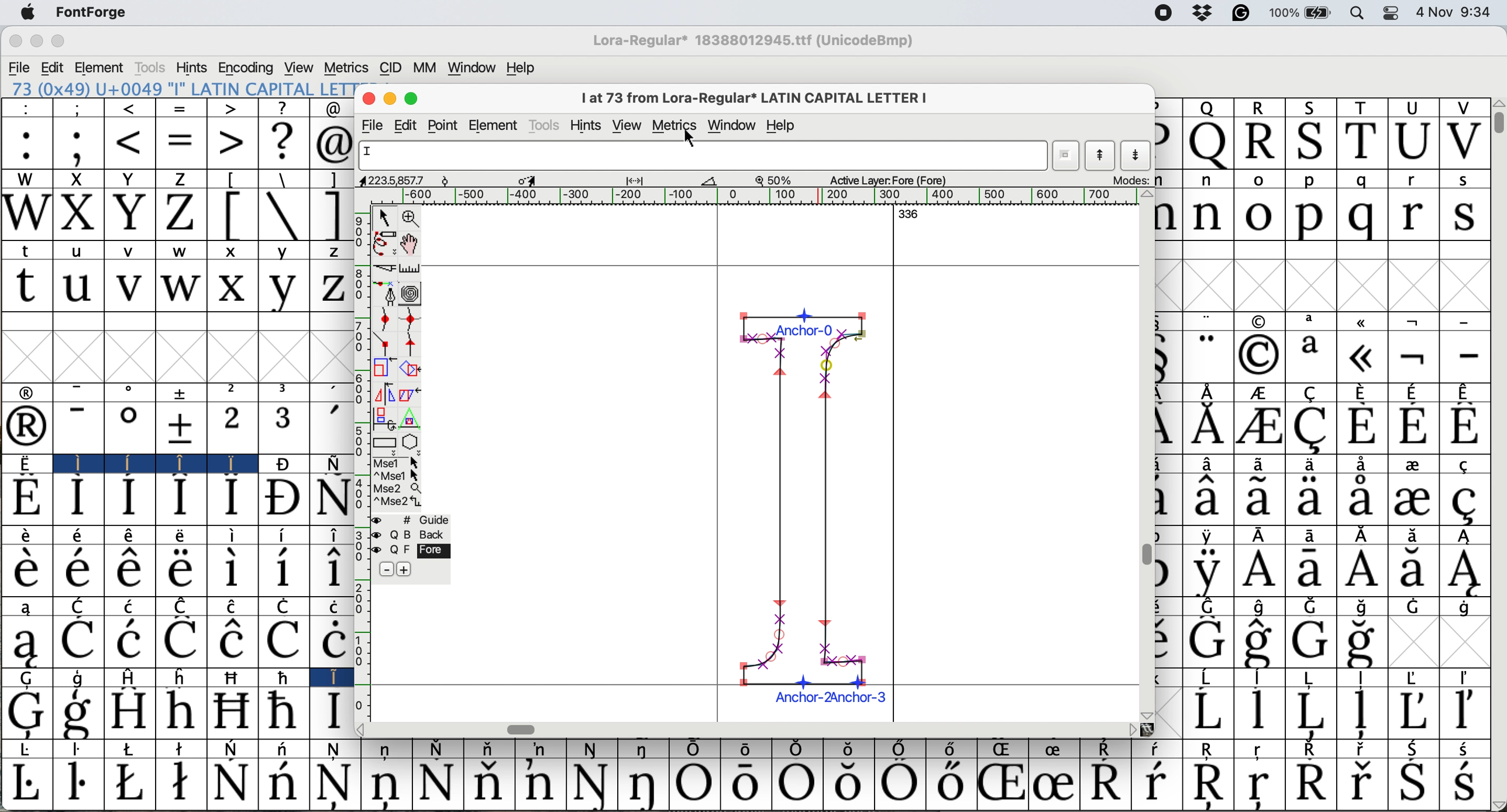 Image resolution: width=1507 pixels, height=812 pixels. I want to click on o, so click(130, 393).